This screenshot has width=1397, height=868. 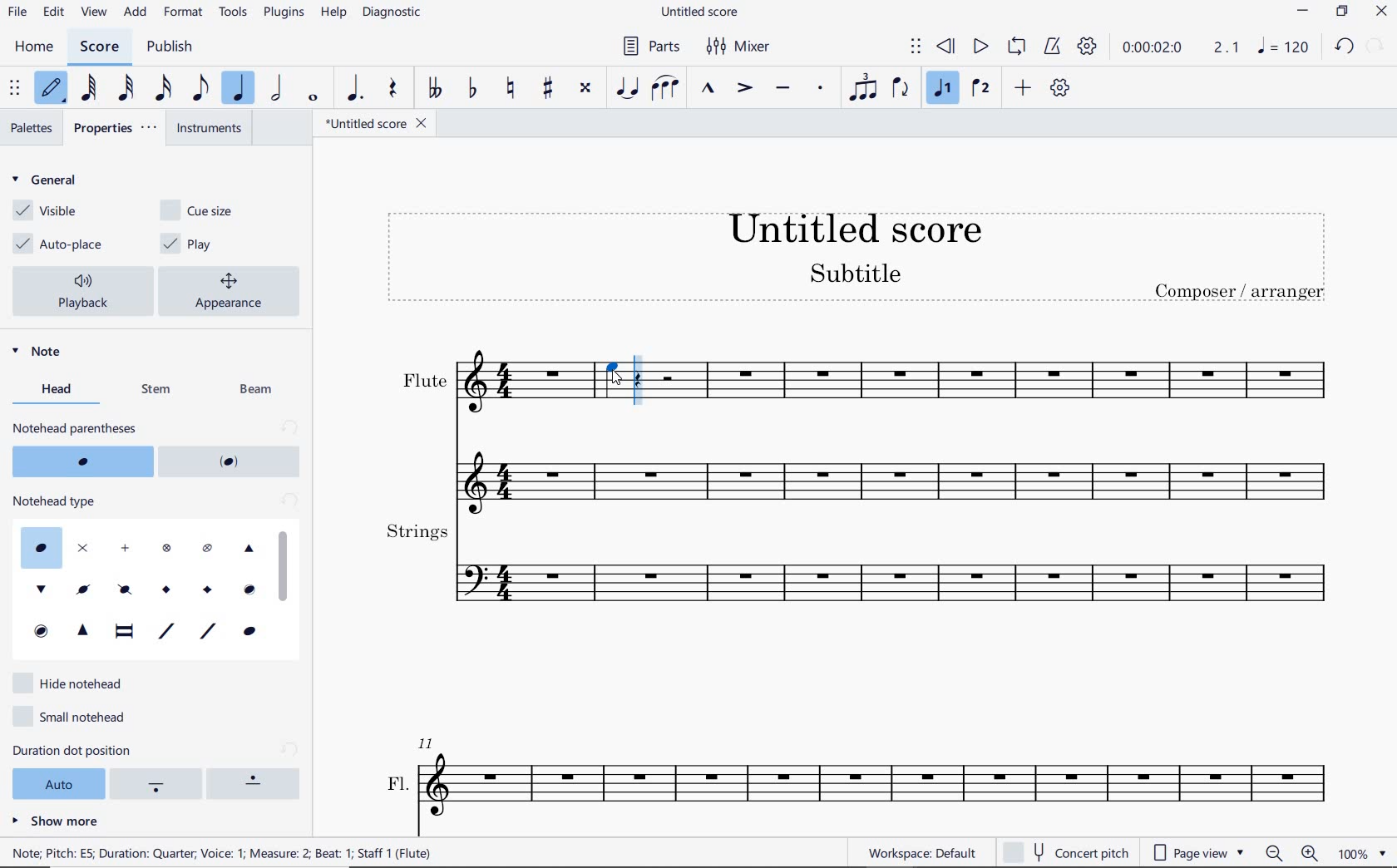 I want to click on ADD, so click(x=135, y=12).